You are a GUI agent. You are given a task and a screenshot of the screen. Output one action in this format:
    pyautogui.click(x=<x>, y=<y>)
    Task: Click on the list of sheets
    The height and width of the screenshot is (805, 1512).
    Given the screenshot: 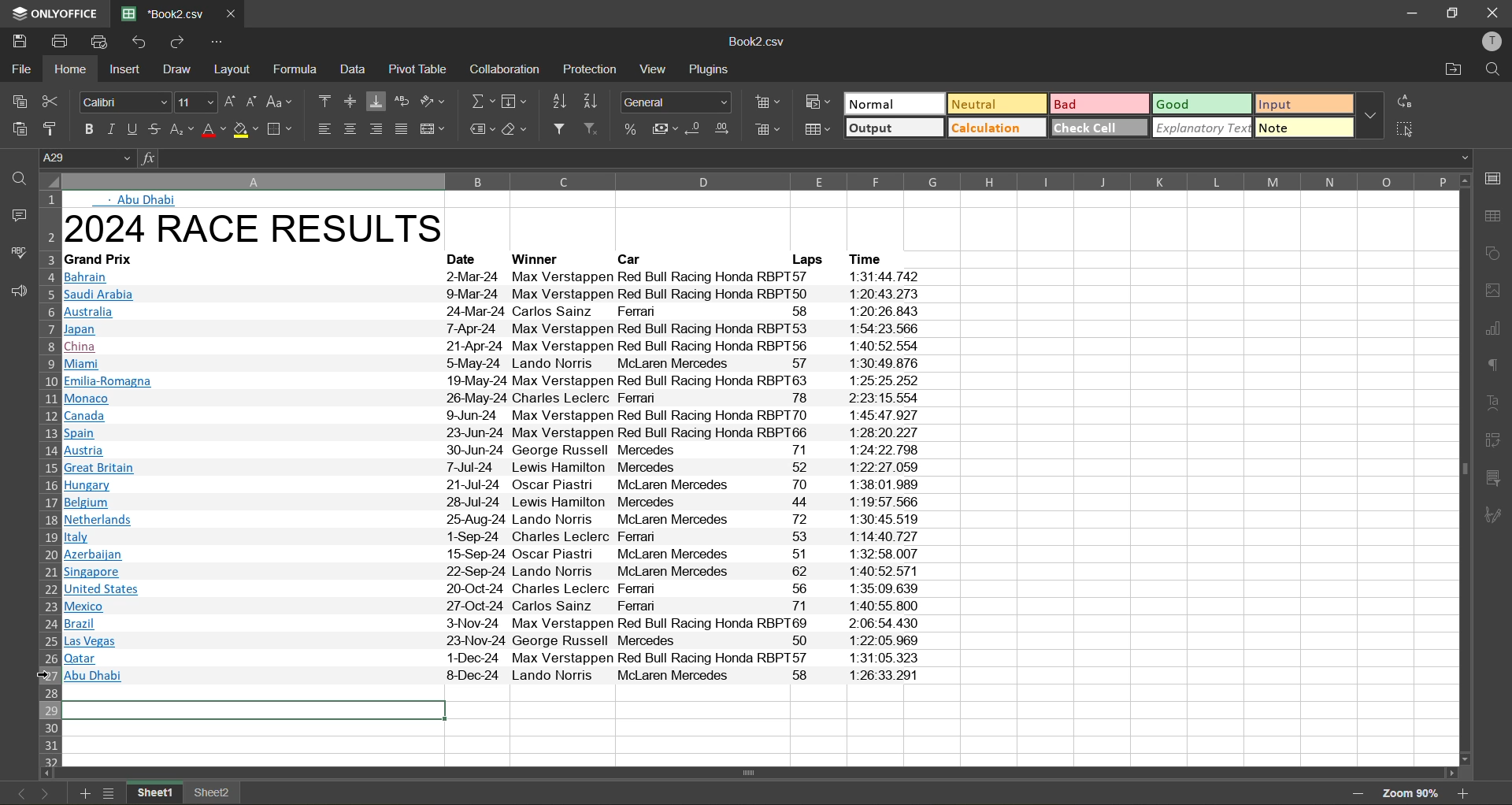 What is the action you would take?
    pyautogui.click(x=110, y=793)
    